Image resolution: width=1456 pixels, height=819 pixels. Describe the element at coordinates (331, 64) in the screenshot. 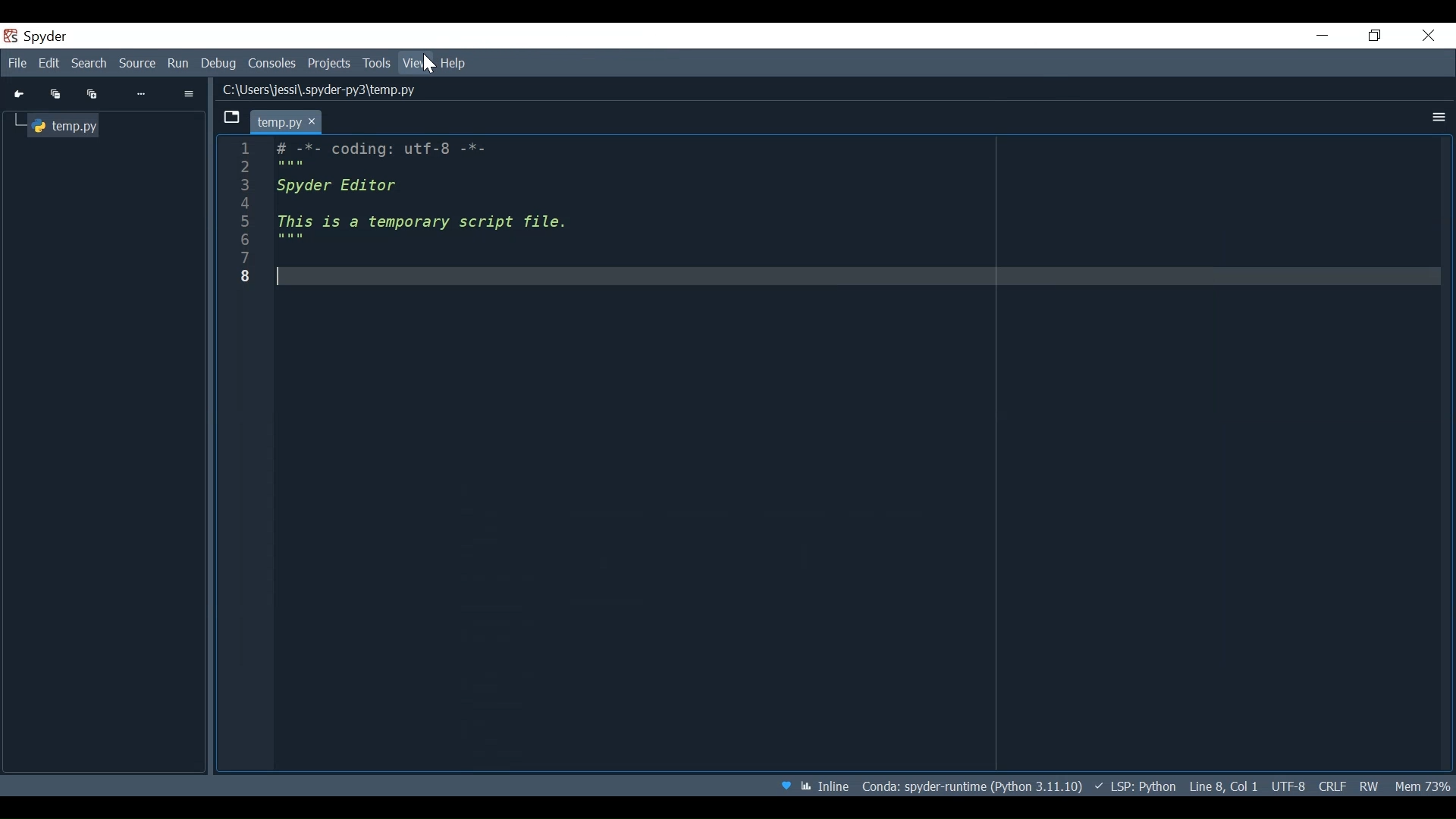

I see `Projects` at that location.